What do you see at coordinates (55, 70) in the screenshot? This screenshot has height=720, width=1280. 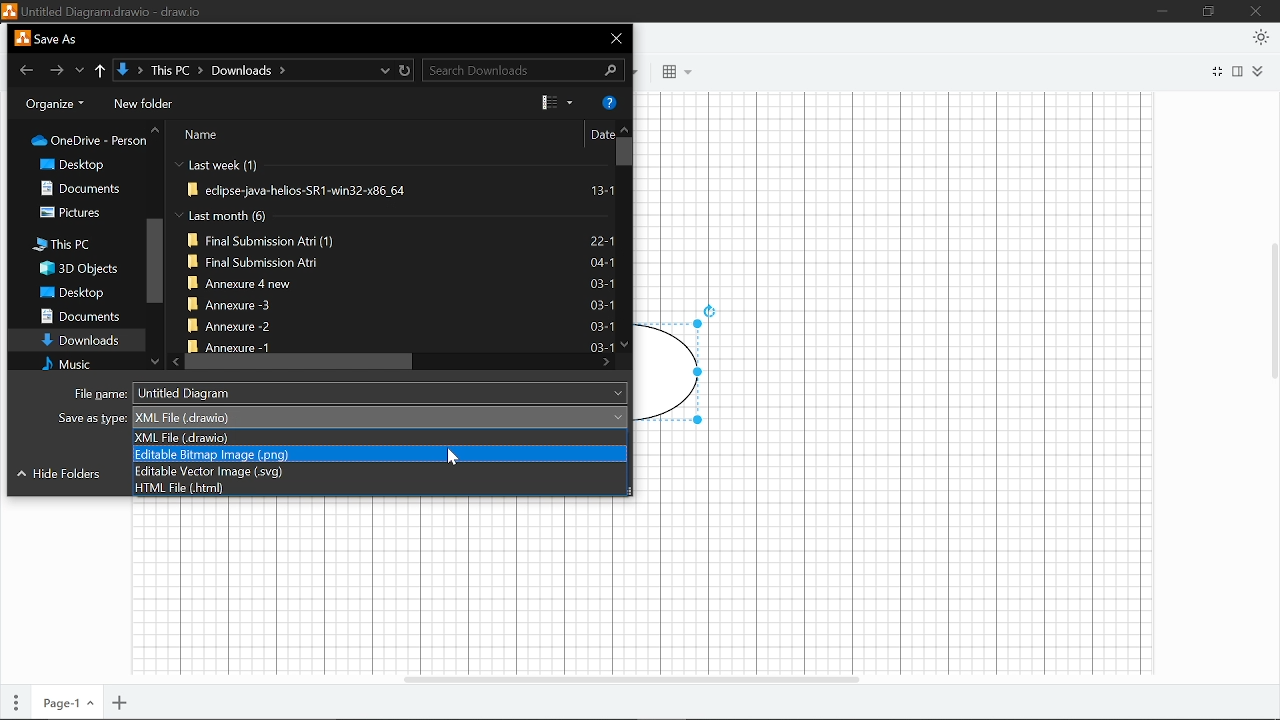 I see `Go to next location` at bounding box center [55, 70].